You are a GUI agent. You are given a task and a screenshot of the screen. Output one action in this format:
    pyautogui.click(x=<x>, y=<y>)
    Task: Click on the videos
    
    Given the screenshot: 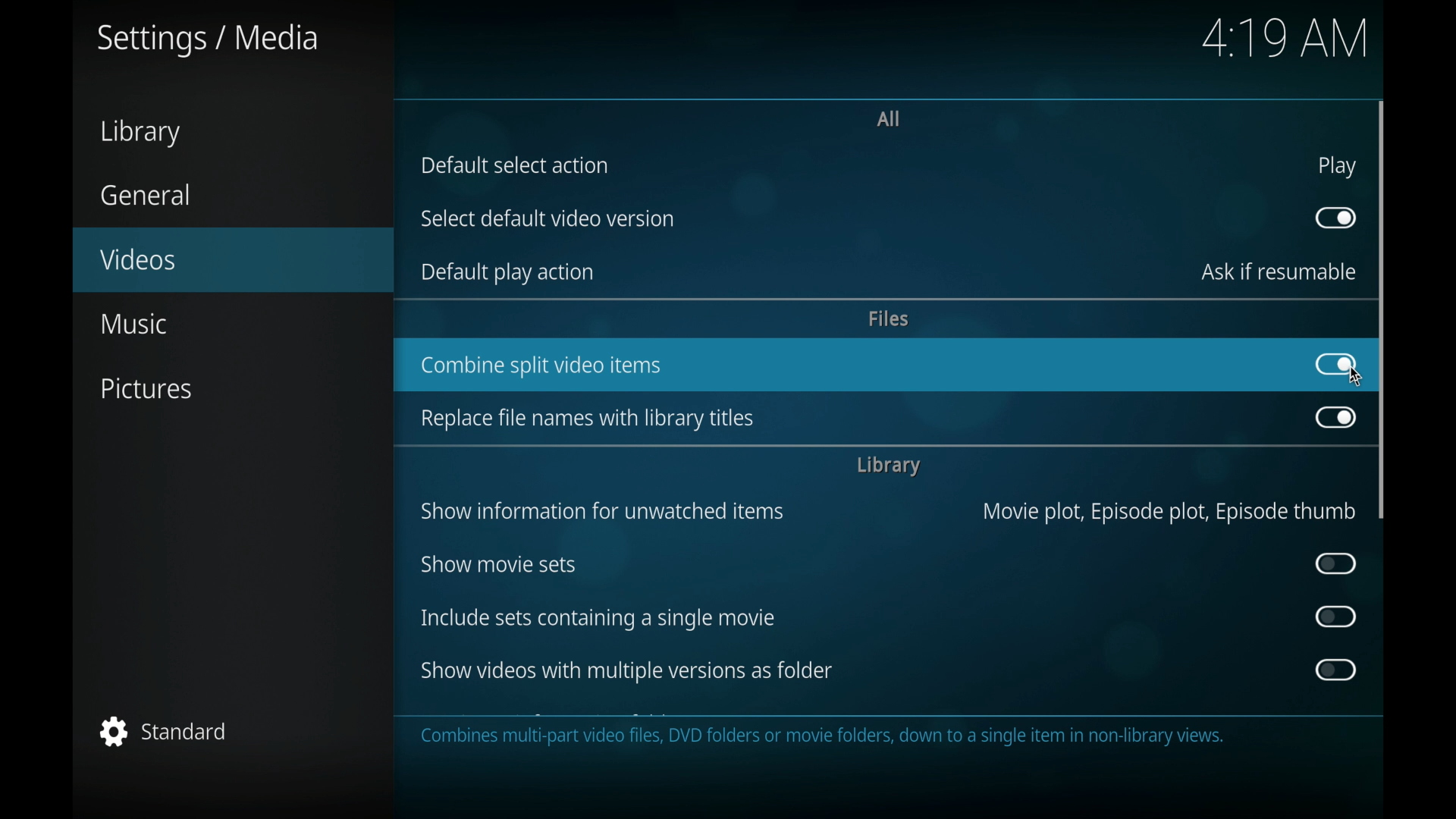 What is the action you would take?
    pyautogui.click(x=233, y=260)
    